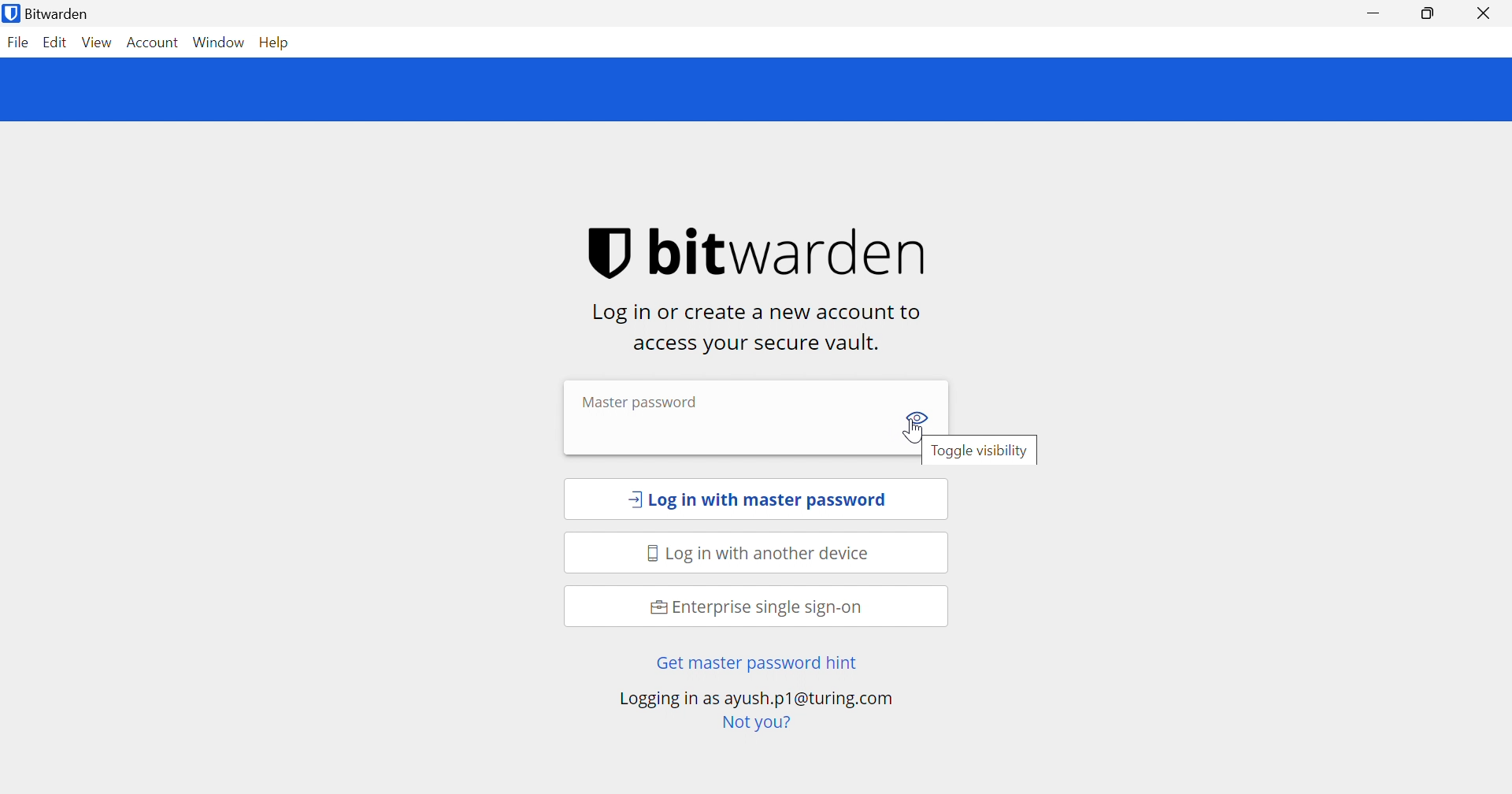 The width and height of the screenshot is (1512, 794). Describe the element at coordinates (909, 436) in the screenshot. I see `Cursor` at that location.